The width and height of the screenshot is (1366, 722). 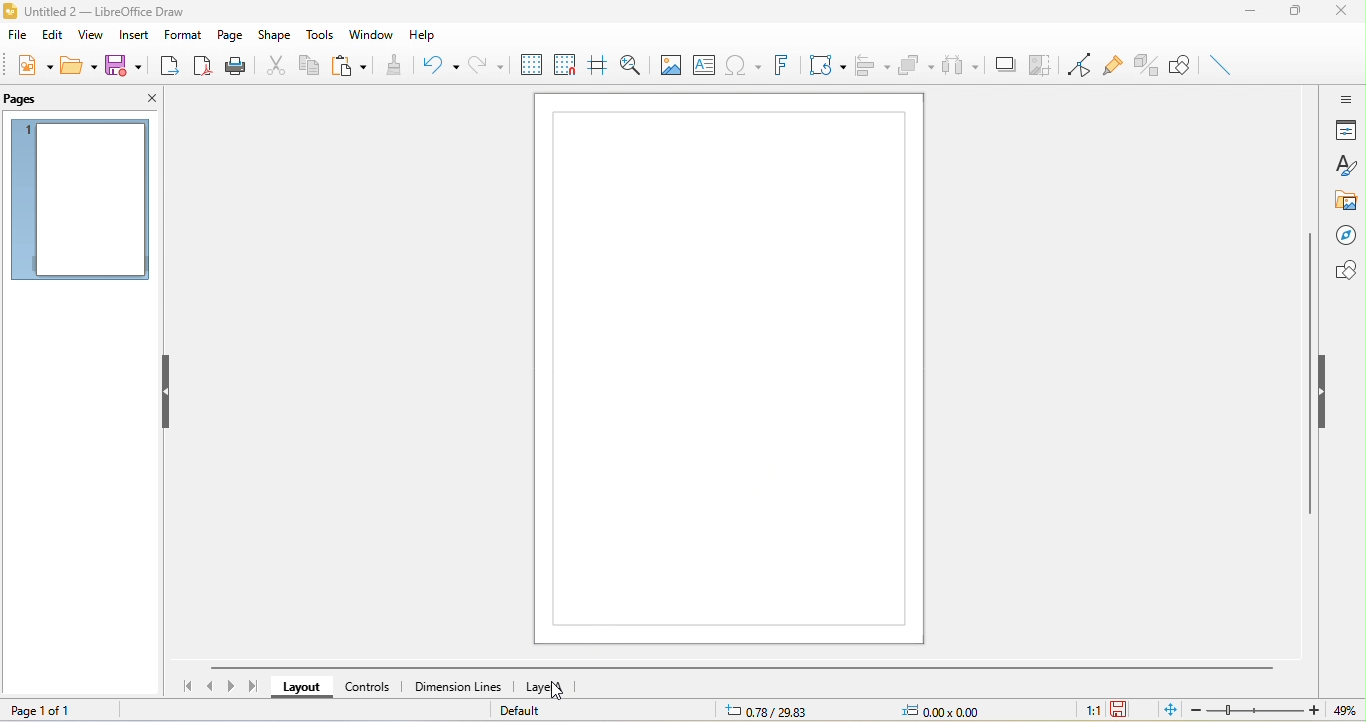 What do you see at coordinates (120, 10) in the screenshot?
I see `Untitled 2 - Libreoffice Draw` at bounding box center [120, 10].